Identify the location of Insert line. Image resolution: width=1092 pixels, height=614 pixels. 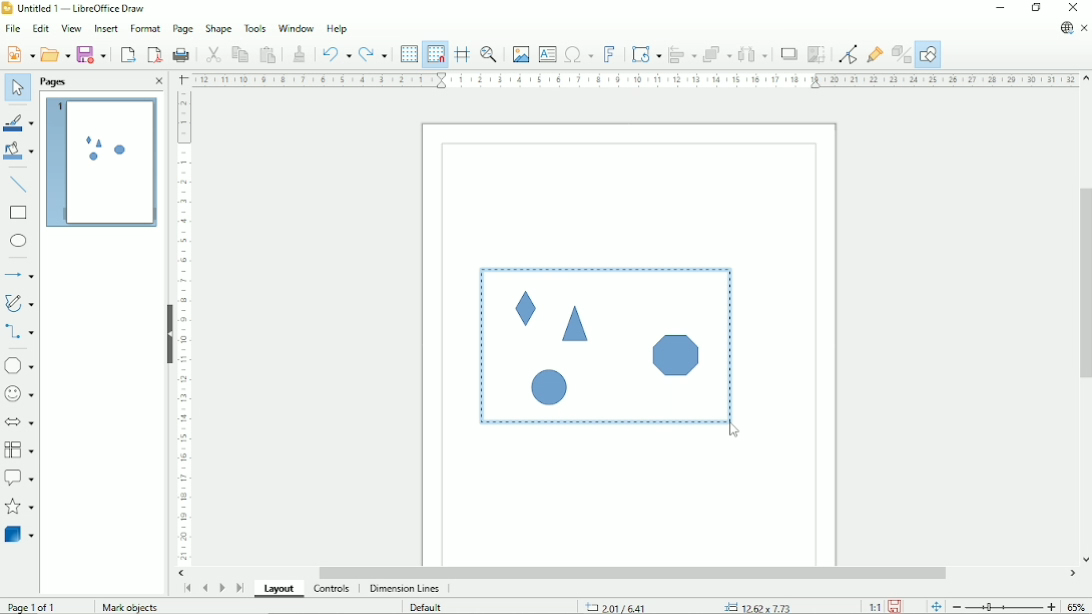
(19, 186).